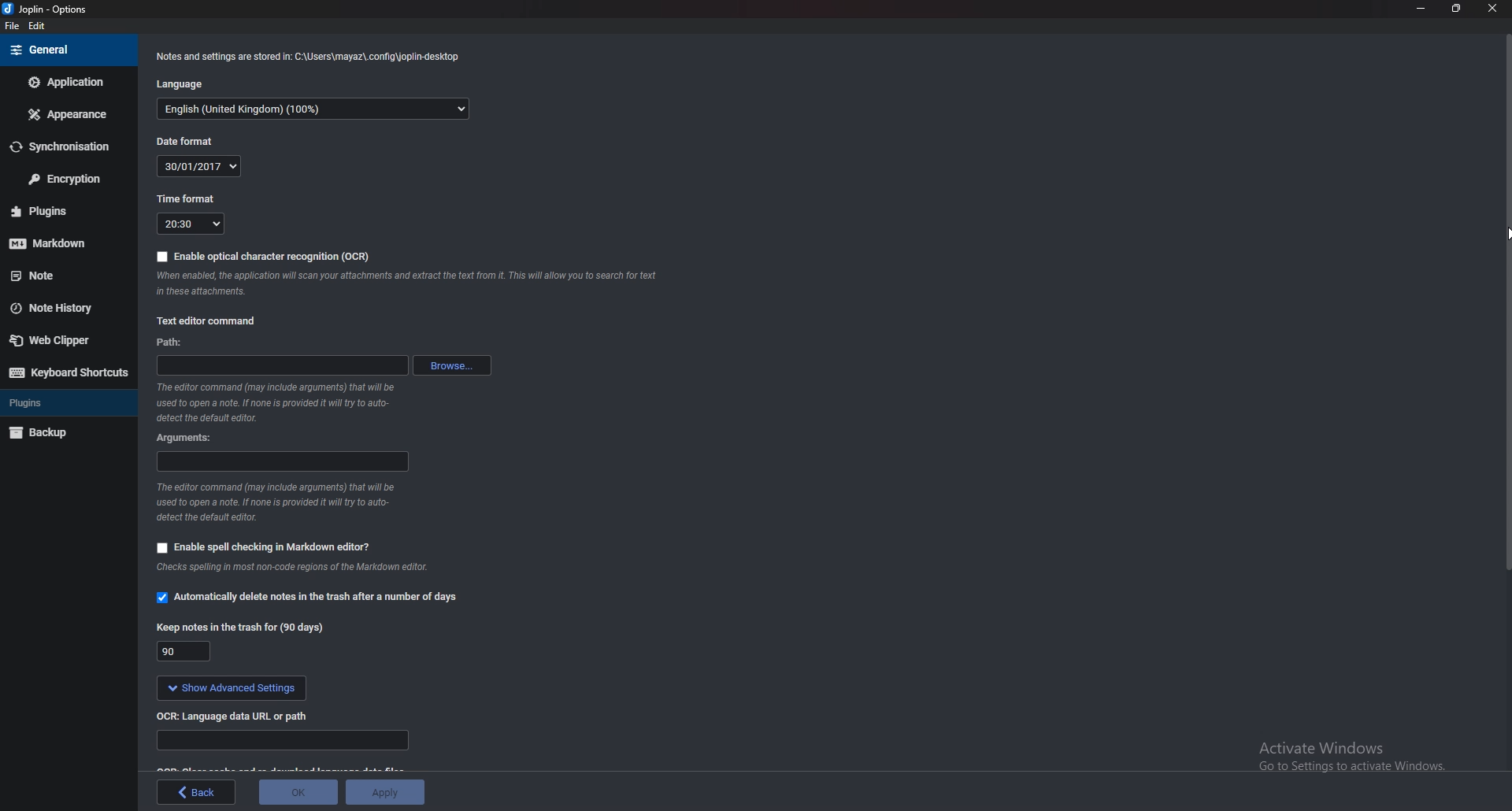 The height and width of the screenshot is (811, 1512). Describe the element at coordinates (232, 688) in the screenshot. I see `Show advanced settings` at that location.